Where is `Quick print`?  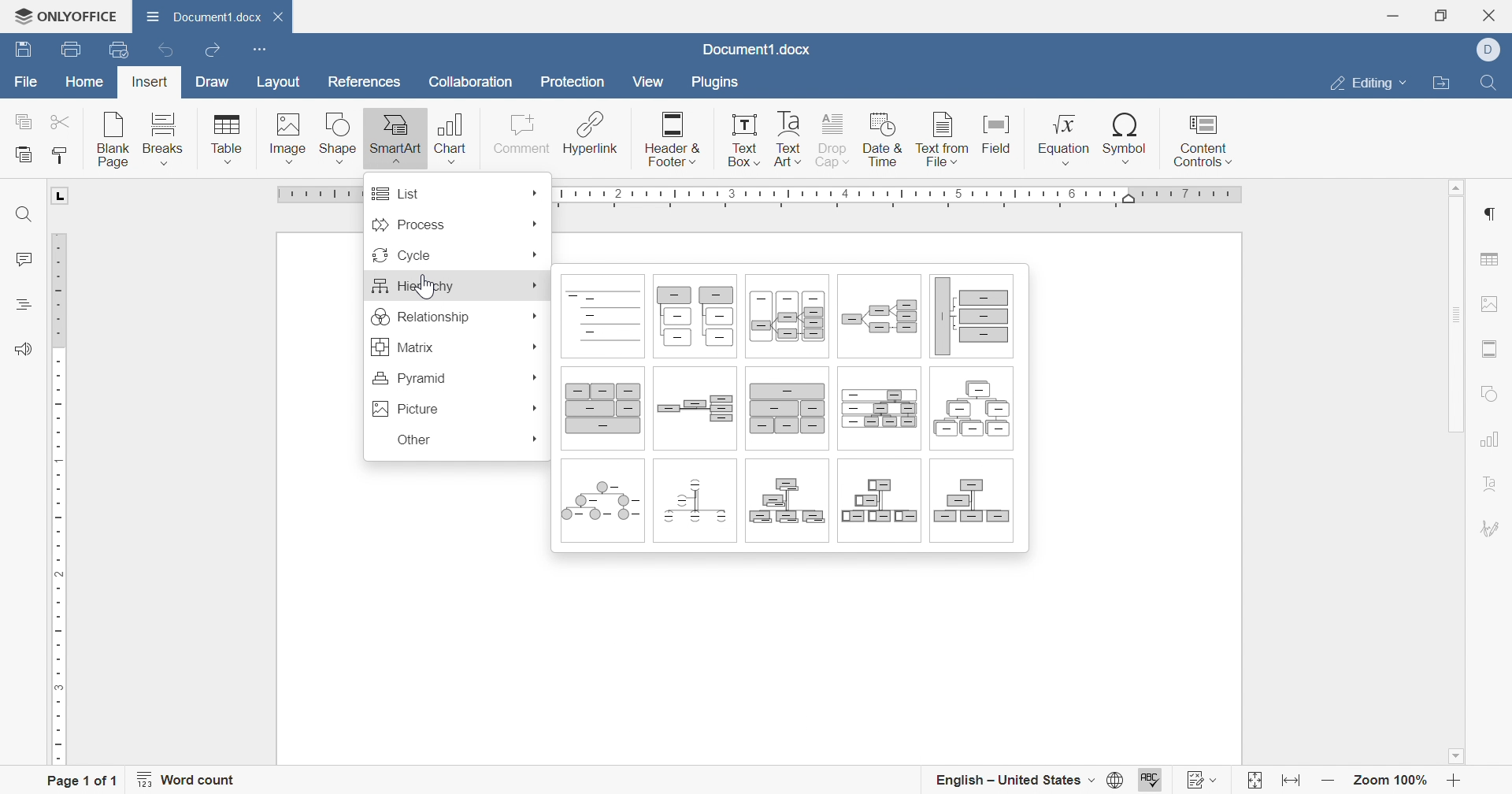
Quick print is located at coordinates (120, 51).